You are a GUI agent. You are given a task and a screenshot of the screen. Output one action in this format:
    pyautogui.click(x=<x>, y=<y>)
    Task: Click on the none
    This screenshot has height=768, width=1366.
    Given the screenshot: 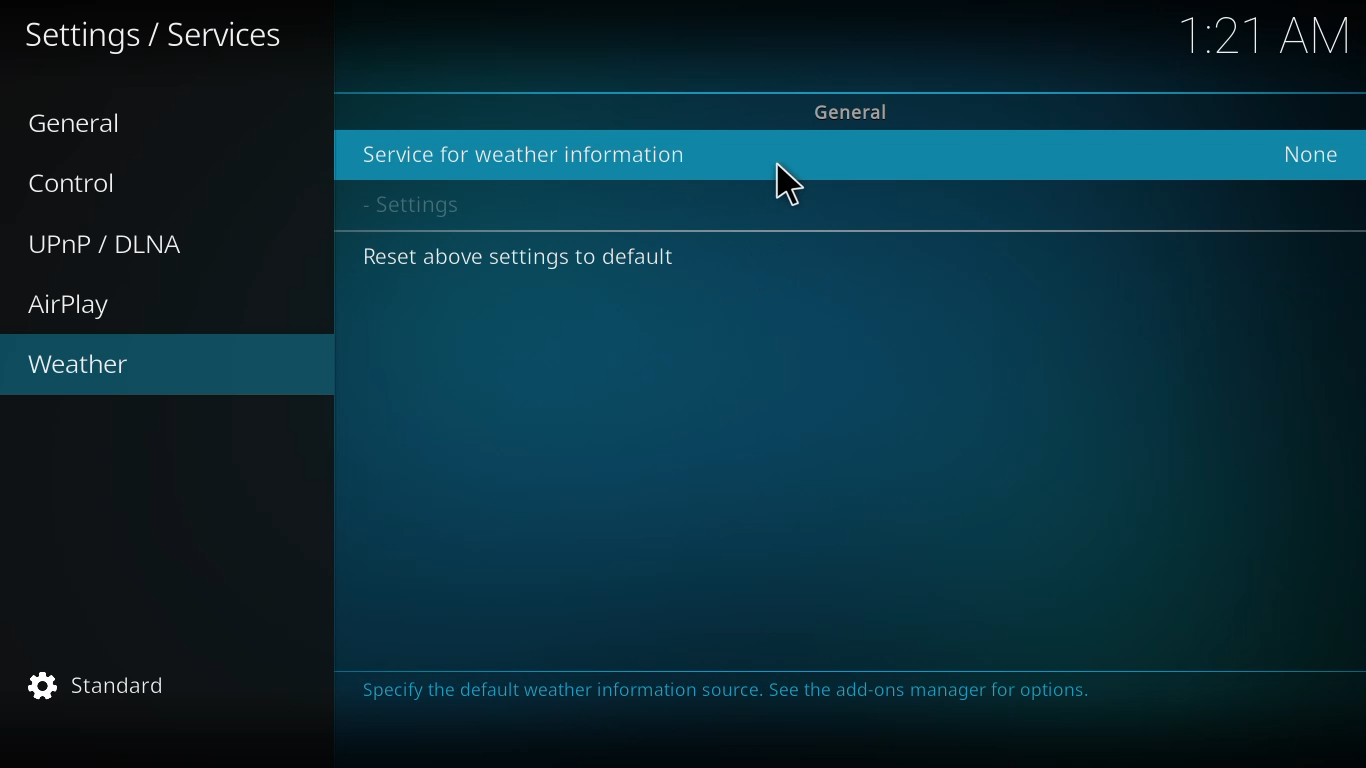 What is the action you would take?
    pyautogui.click(x=1311, y=154)
    